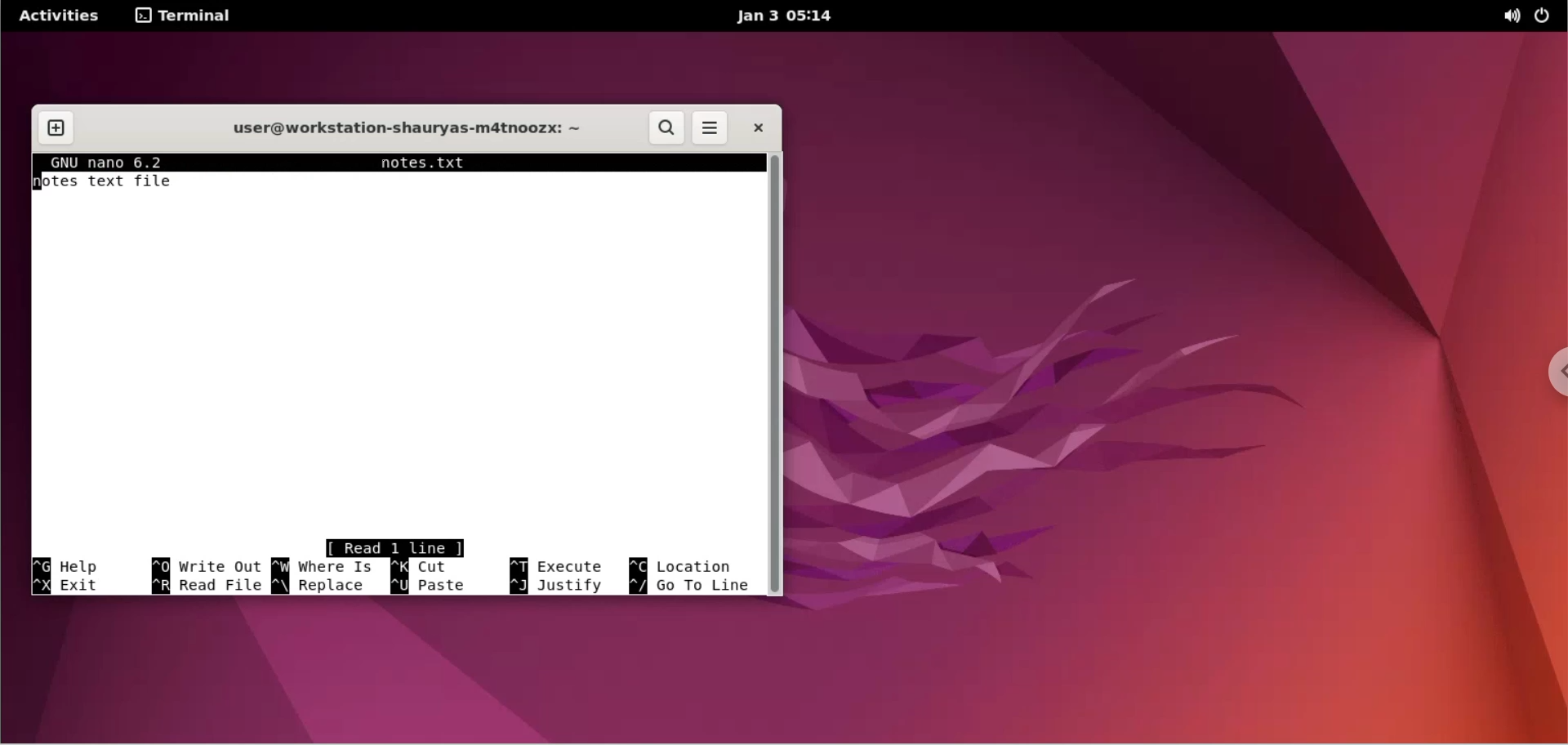  I want to click on search , so click(667, 129).